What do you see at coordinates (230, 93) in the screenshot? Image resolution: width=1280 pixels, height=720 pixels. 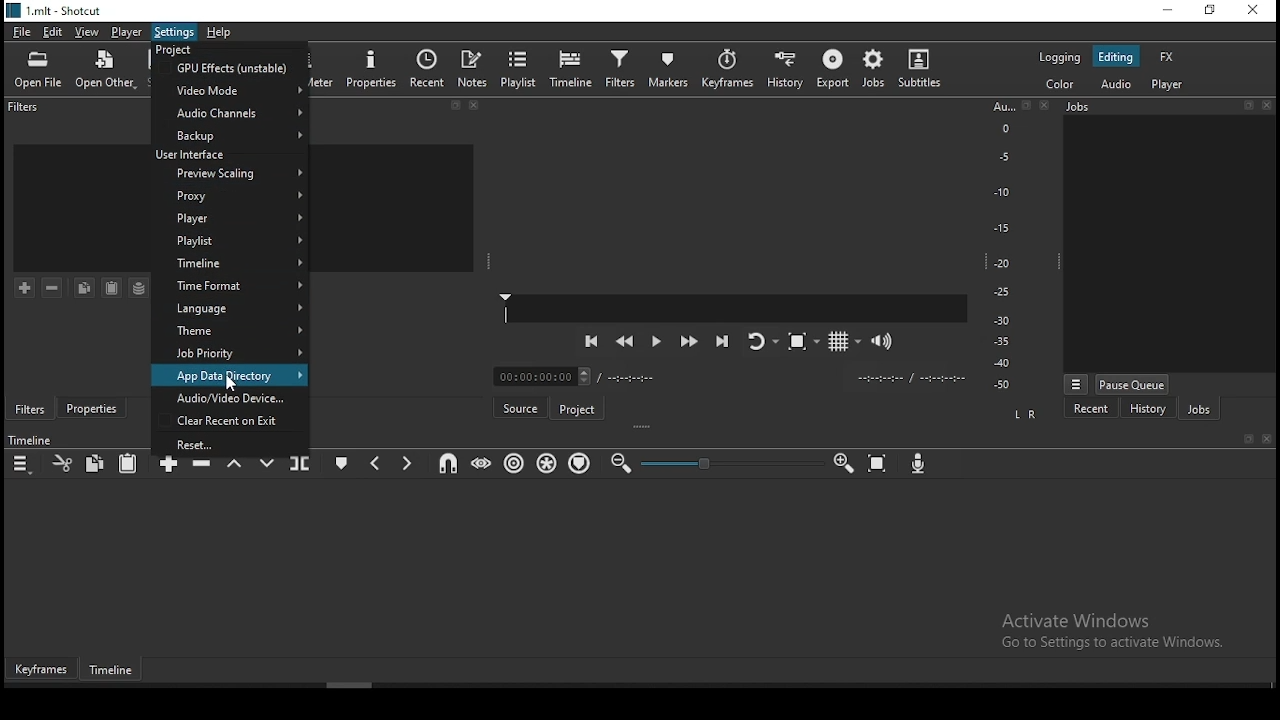 I see `video mode` at bounding box center [230, 93].